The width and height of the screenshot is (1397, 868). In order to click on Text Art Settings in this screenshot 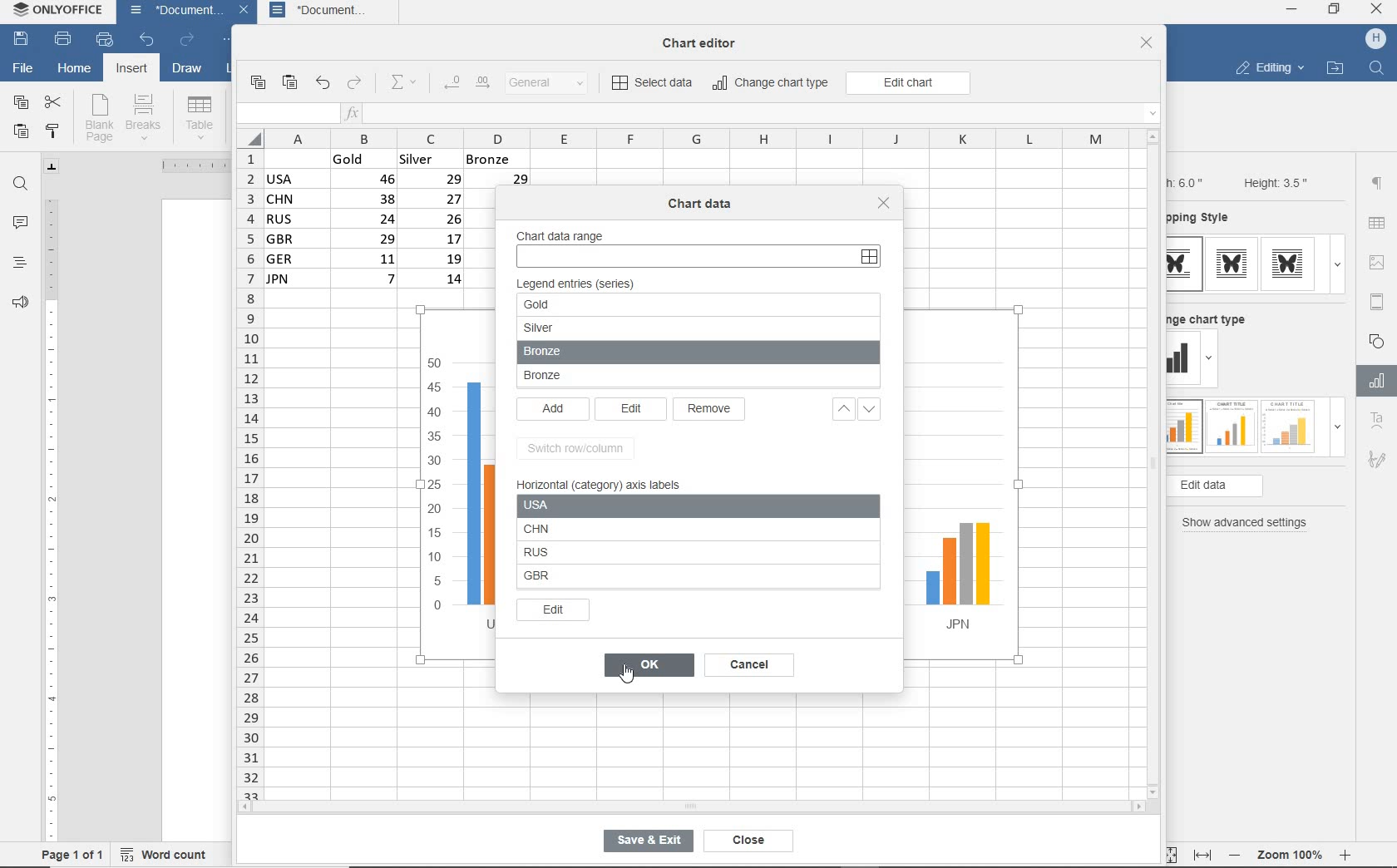, I will do `click(1375, 422)`.